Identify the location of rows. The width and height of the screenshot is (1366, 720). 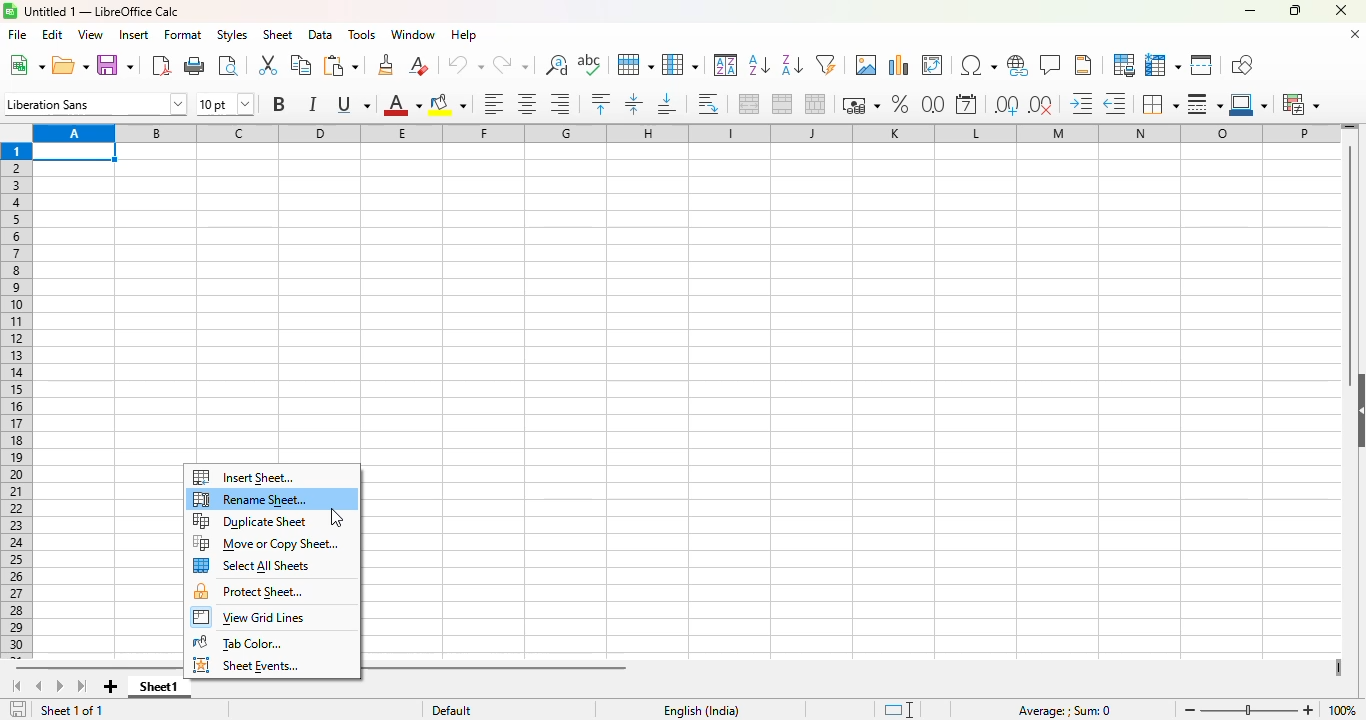
(16, 401).